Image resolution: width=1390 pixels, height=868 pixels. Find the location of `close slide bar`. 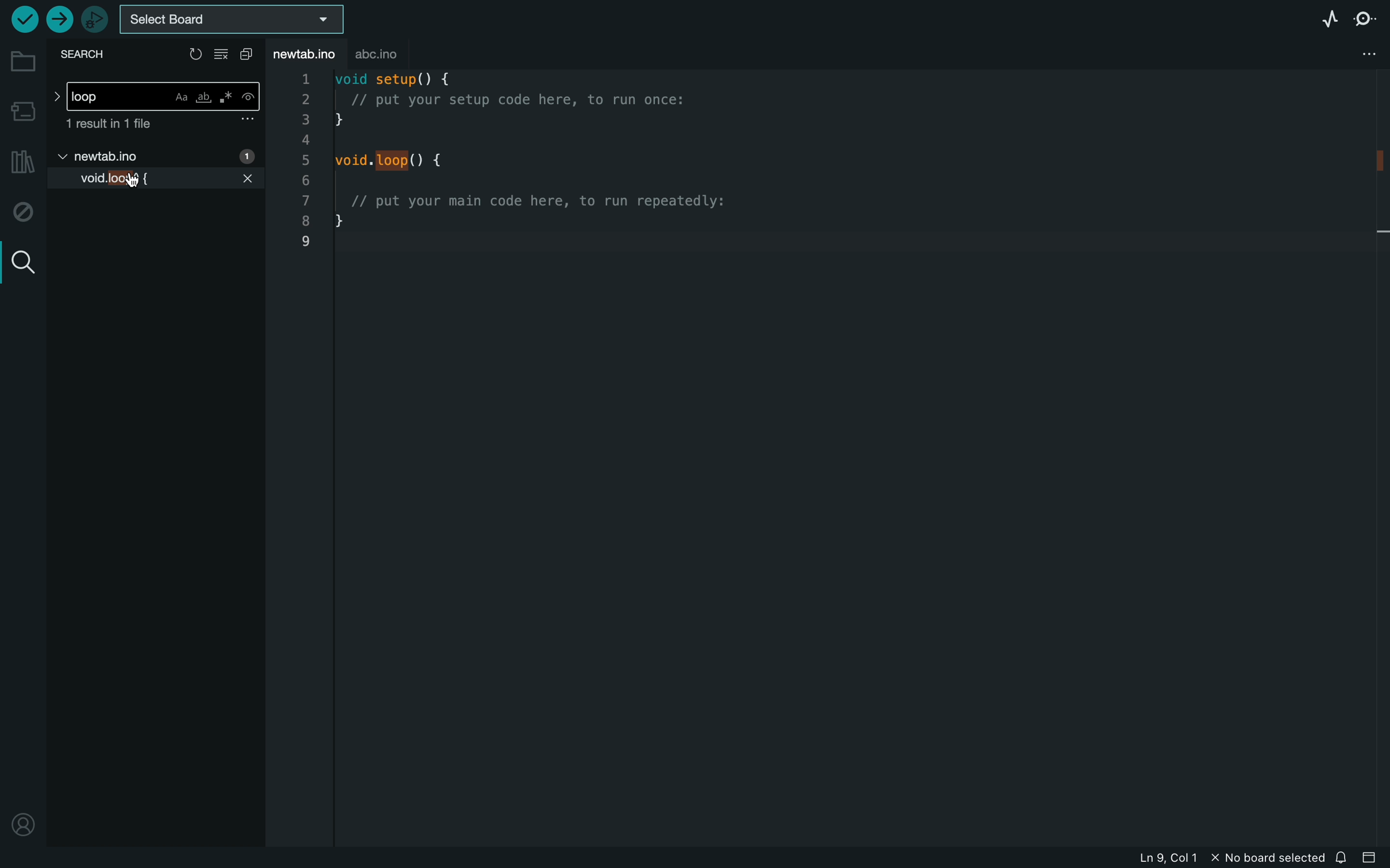

close slide bar is located at coordinates (1373, 858).